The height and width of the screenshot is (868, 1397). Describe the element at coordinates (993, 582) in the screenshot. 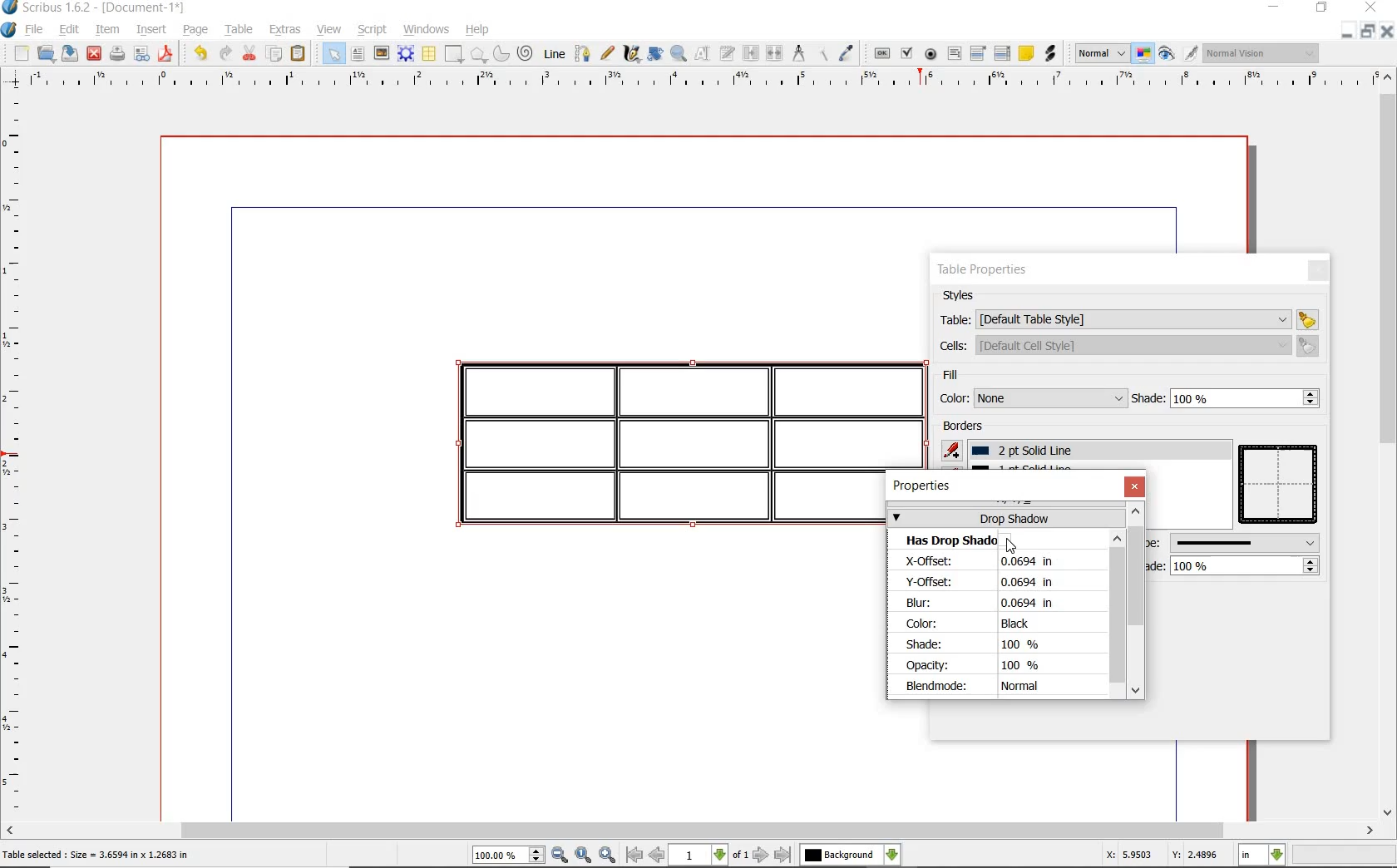

I see `Y-Offset: 0.0694 in` at that location.